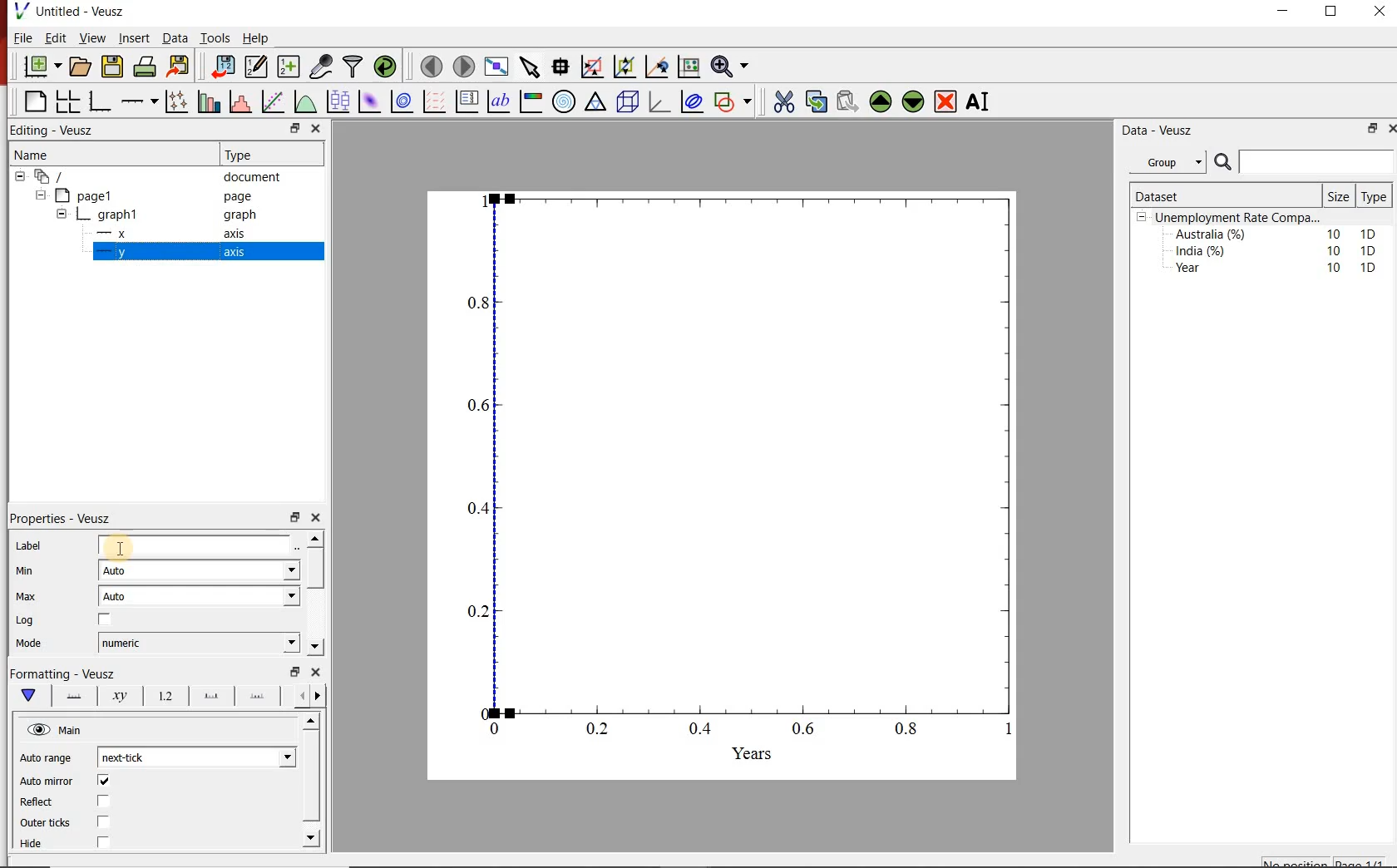  What do you see at coordinates (239, 101) in the screenshot?
I see `histograms` at bounding box center [239, 101].